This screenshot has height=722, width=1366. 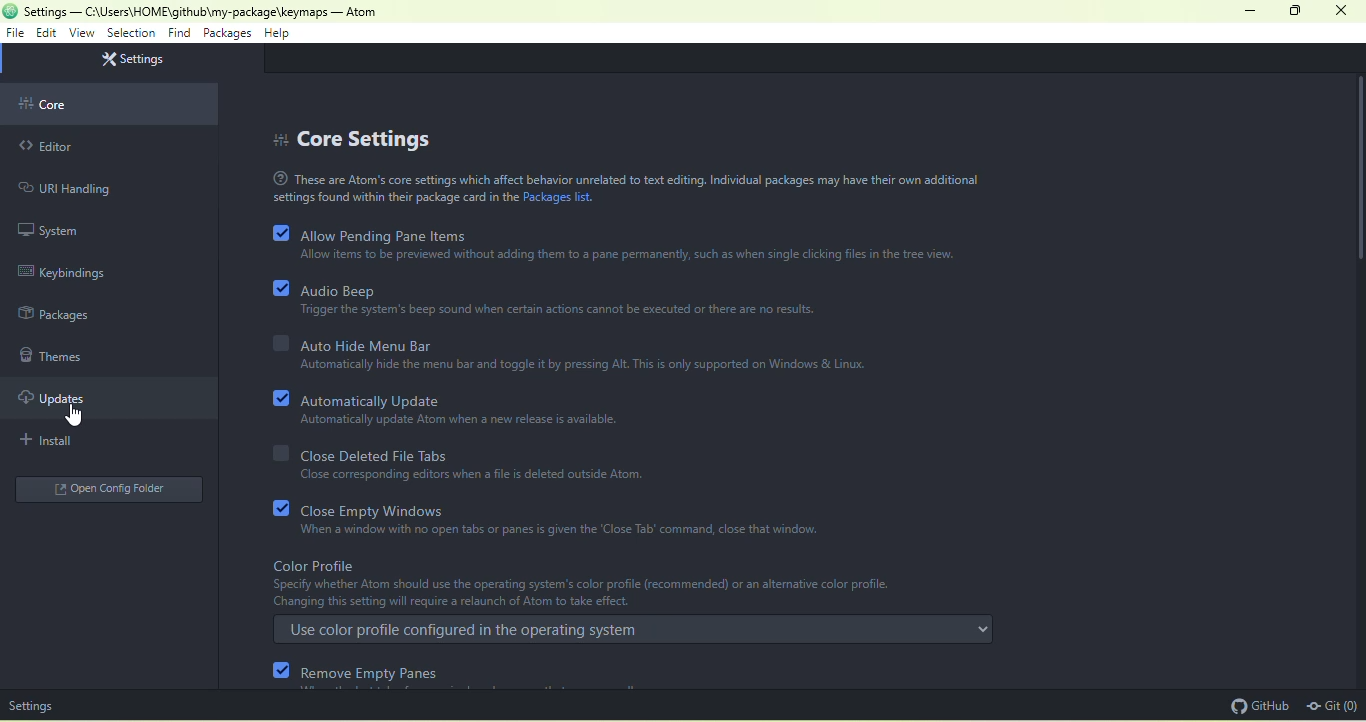 What do you see at coordinates (108, 104) in the screenshot?
I see `core` at bounding box center [108, 104].